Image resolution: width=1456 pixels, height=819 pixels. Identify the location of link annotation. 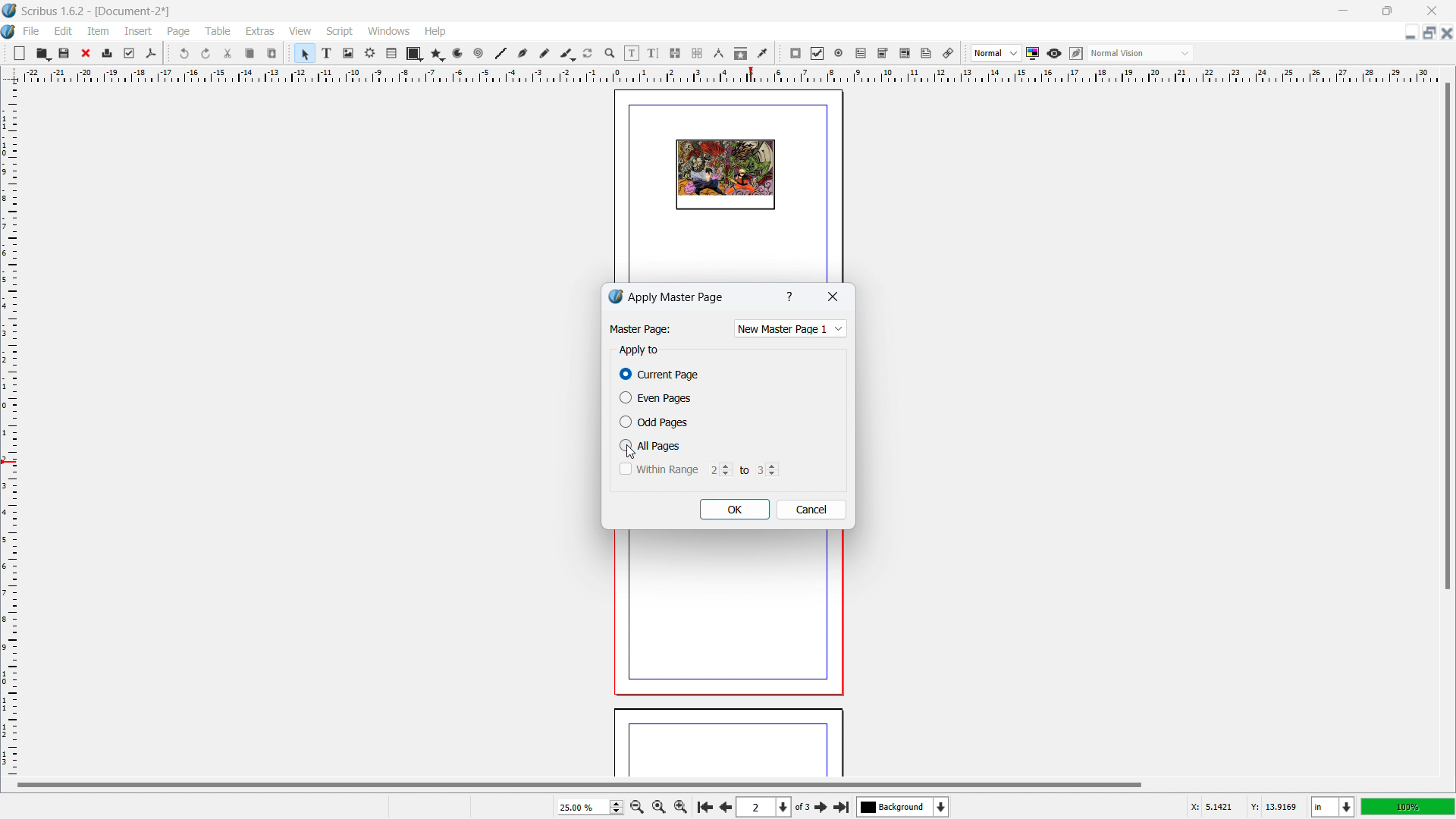
(949, 53).